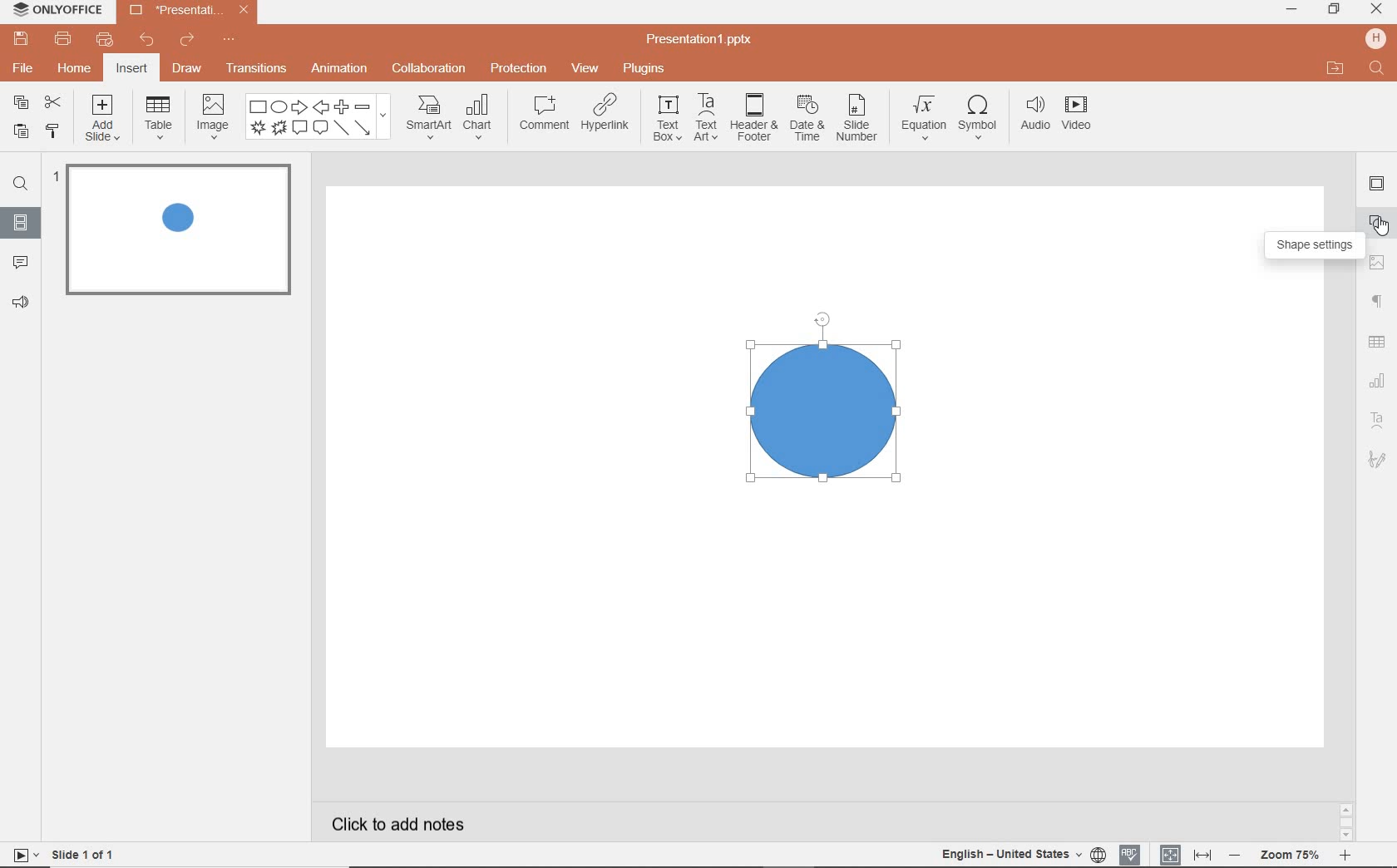 The height and width of the screenshot is (868, 1397). What do you see at coordinates (518, 70) in the screenshot?
I see `protection` at bounding box center [518, 70].